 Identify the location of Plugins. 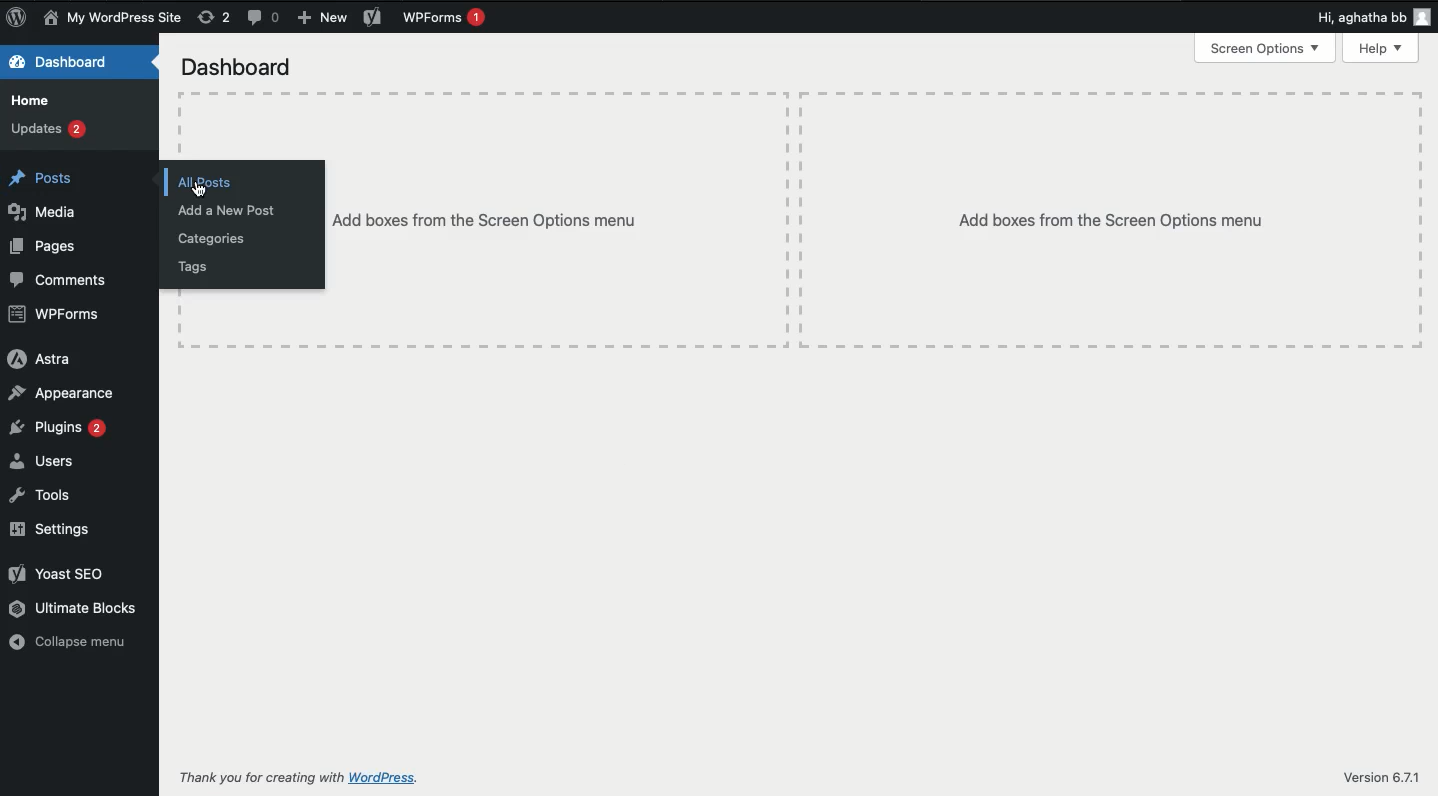
(56, 428).